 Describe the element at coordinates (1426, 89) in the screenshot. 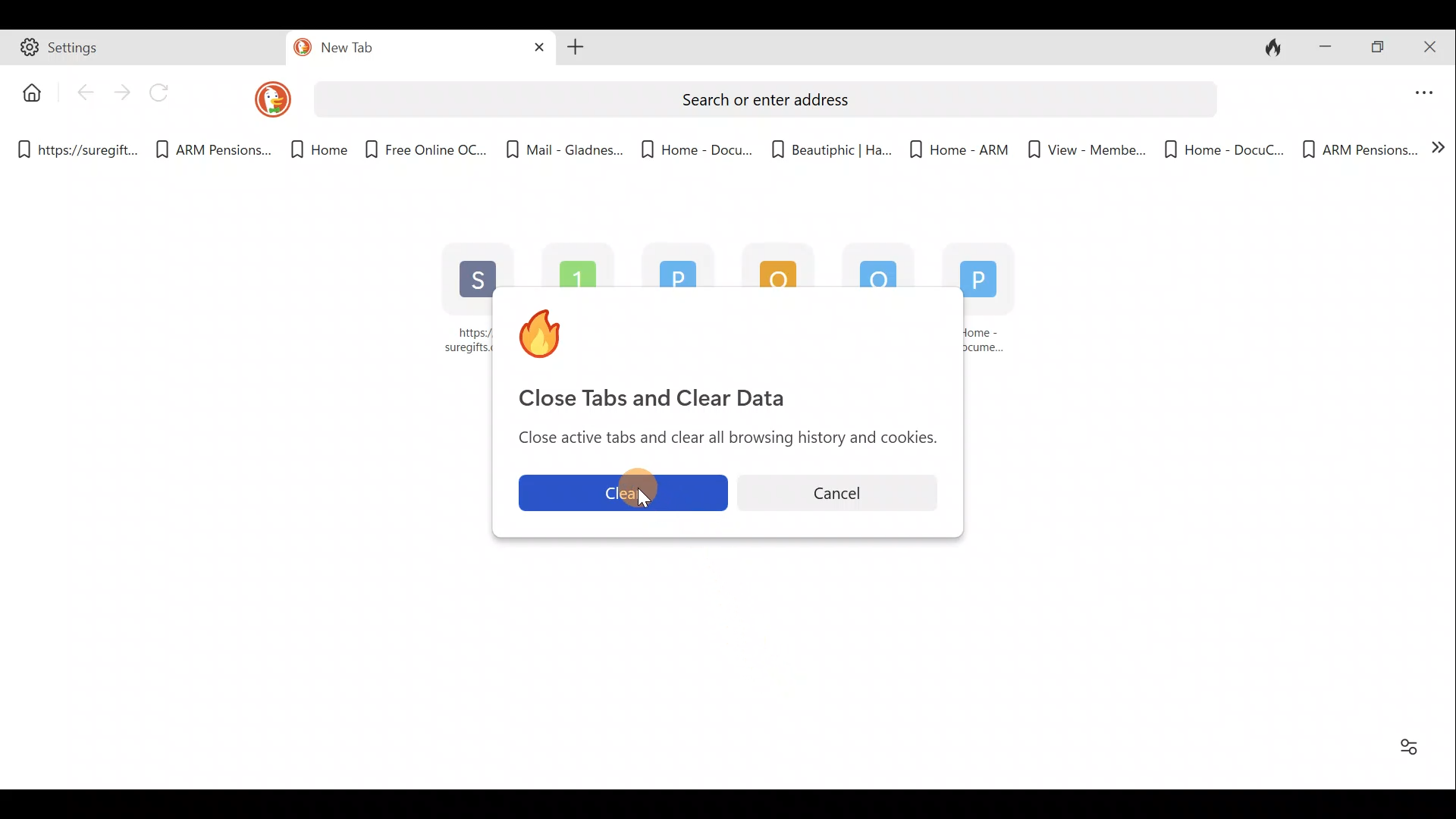

I see `Application menu` at that location.